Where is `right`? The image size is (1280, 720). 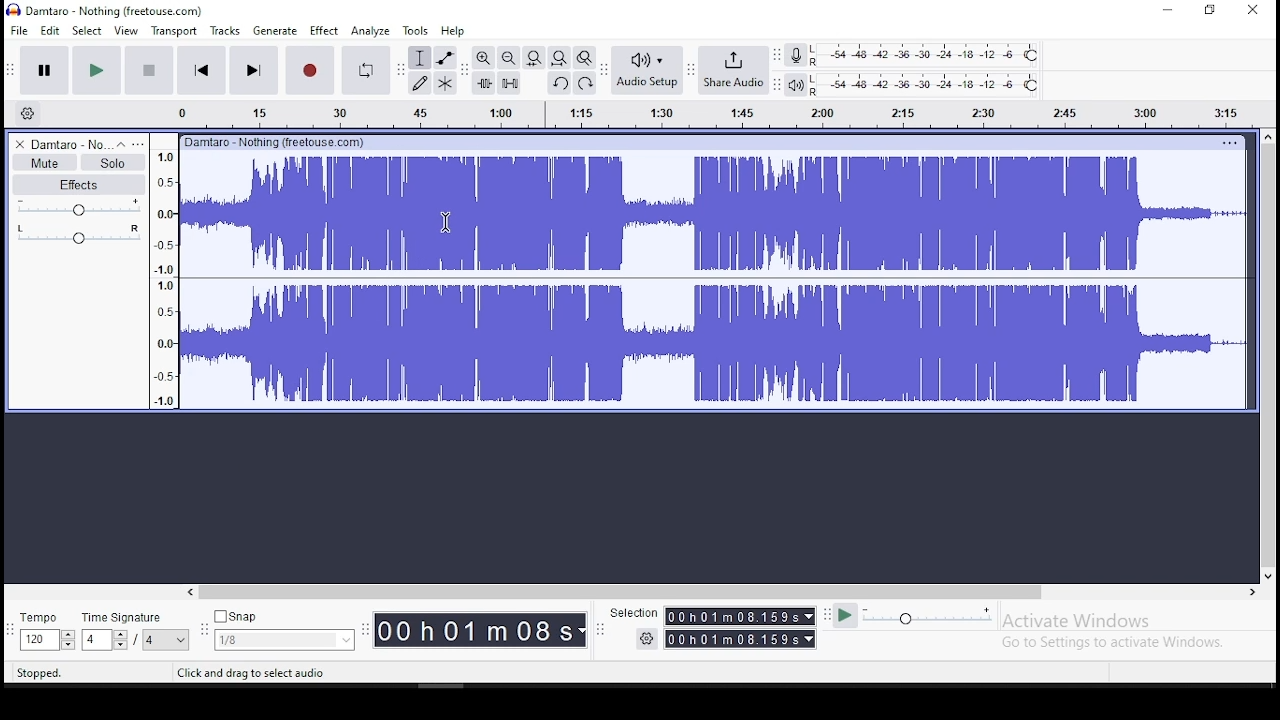
right is located at coordinates (1252, 591).